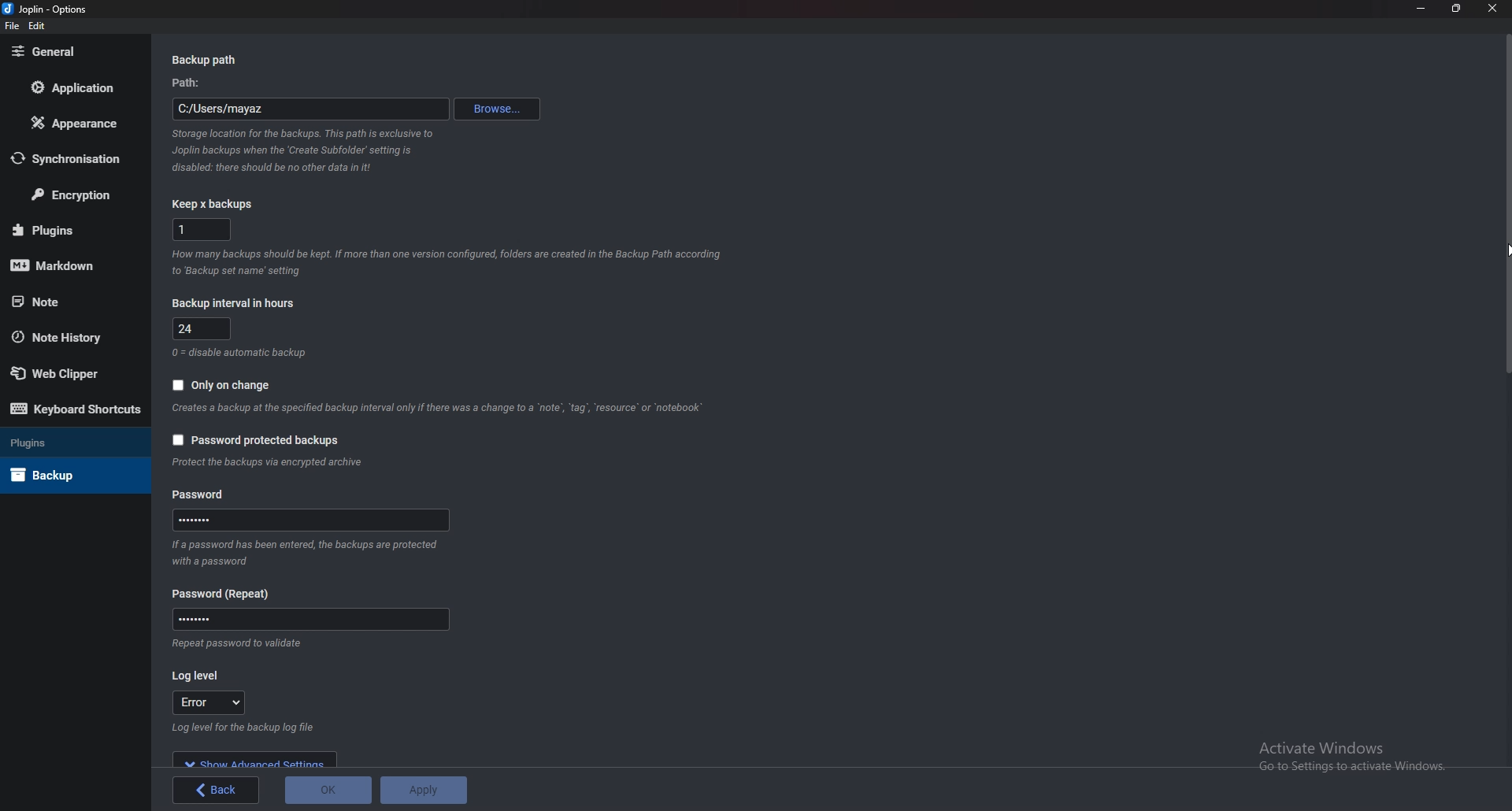  What do you see at coordinates (309, 552) in the screenshot?
I see `Info` at bounding box center [309, 552].